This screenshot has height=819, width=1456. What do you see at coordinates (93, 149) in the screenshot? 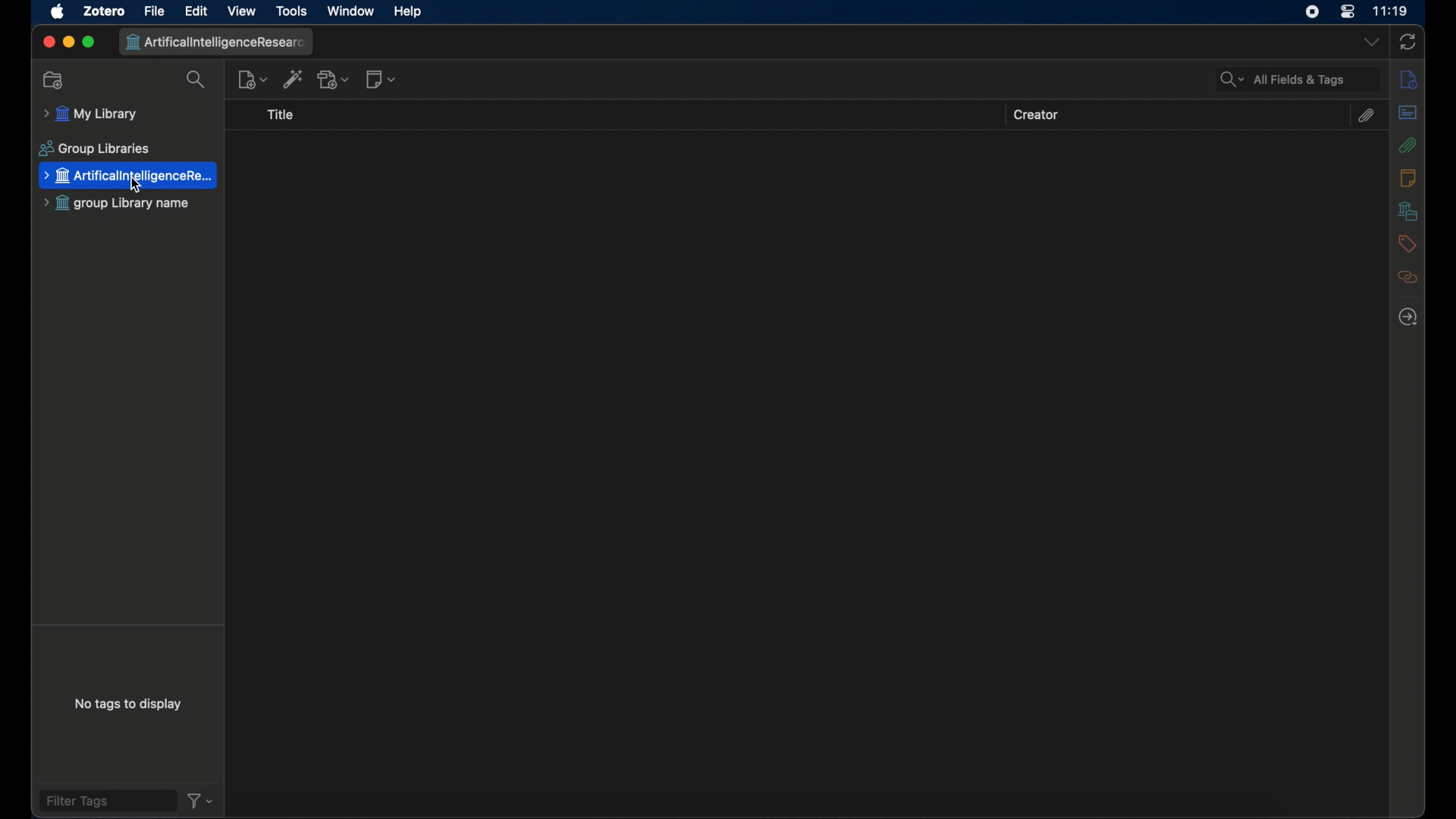
I see `group libraries` at bounding box center [93, 149].